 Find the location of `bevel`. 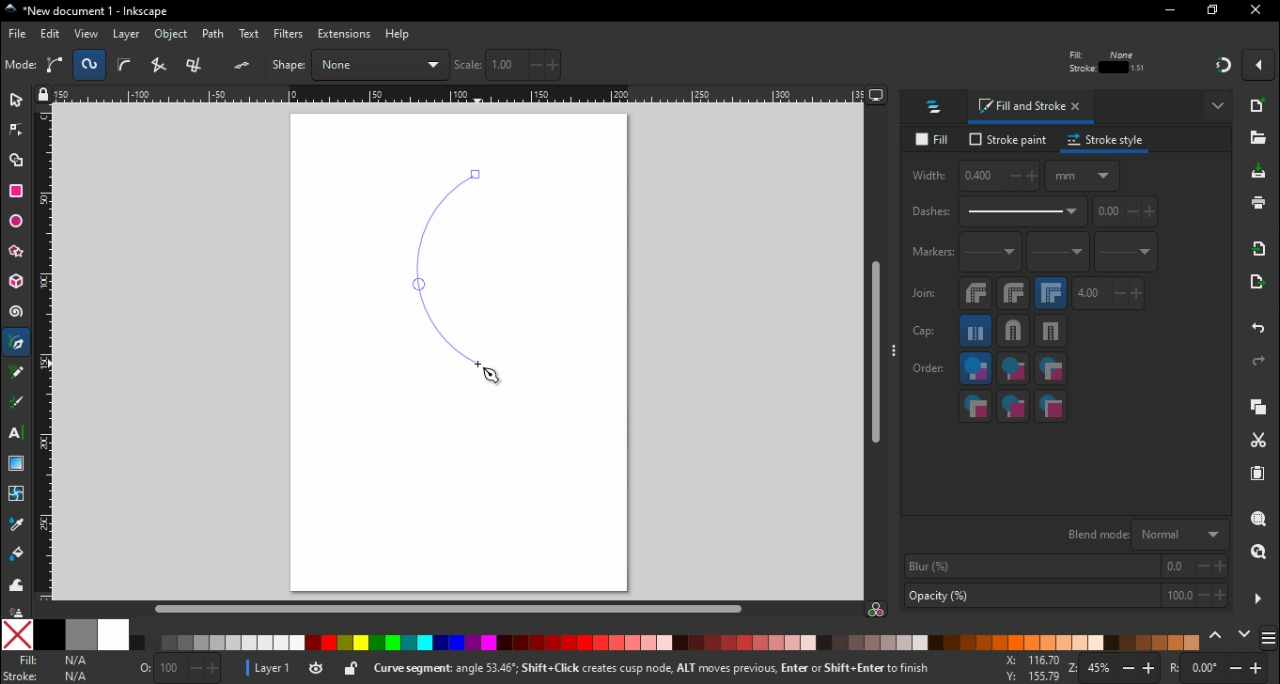

bevel is located at coordinates (975, 297).